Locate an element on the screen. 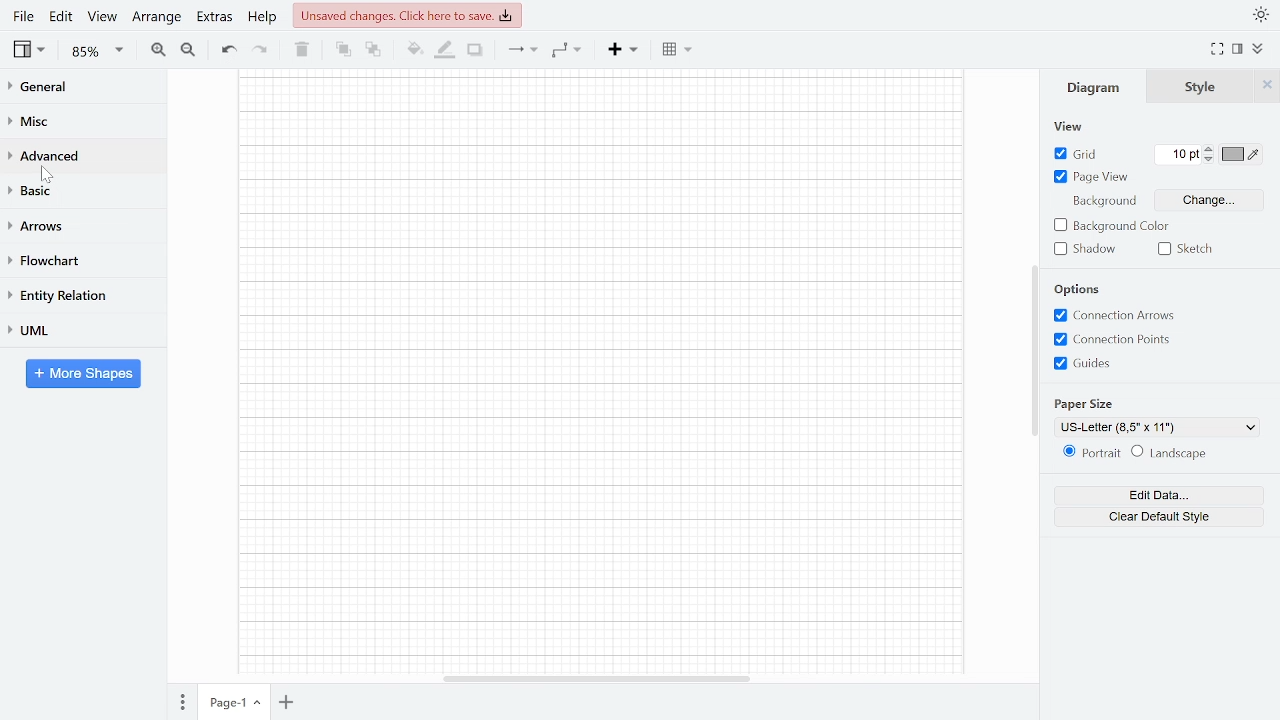 The height and width of the screenshot is (720, 1280). Connection is located at coordinates (521, 53).